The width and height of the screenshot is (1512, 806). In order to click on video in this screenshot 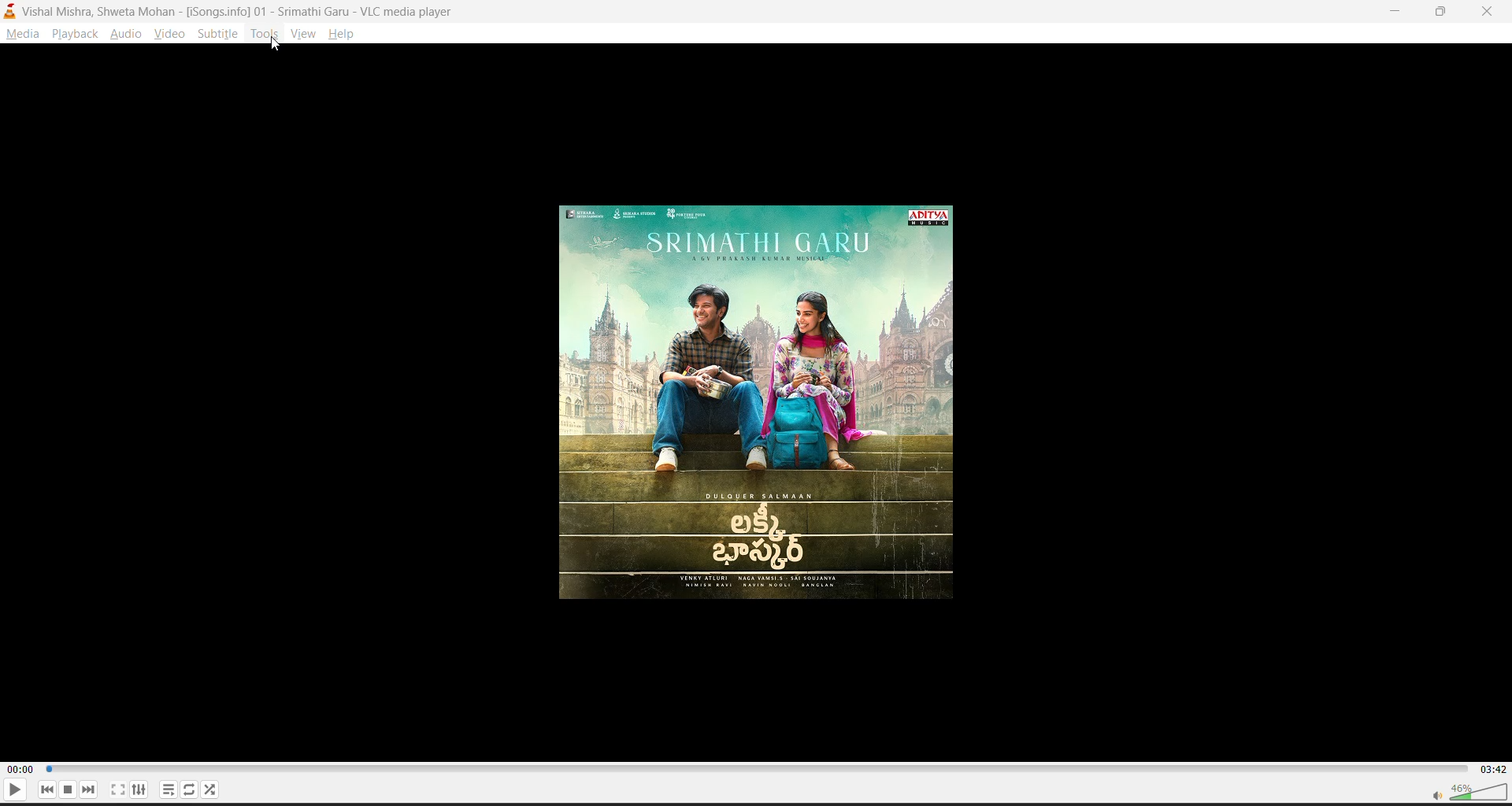, I will do `click(165, 35)`.